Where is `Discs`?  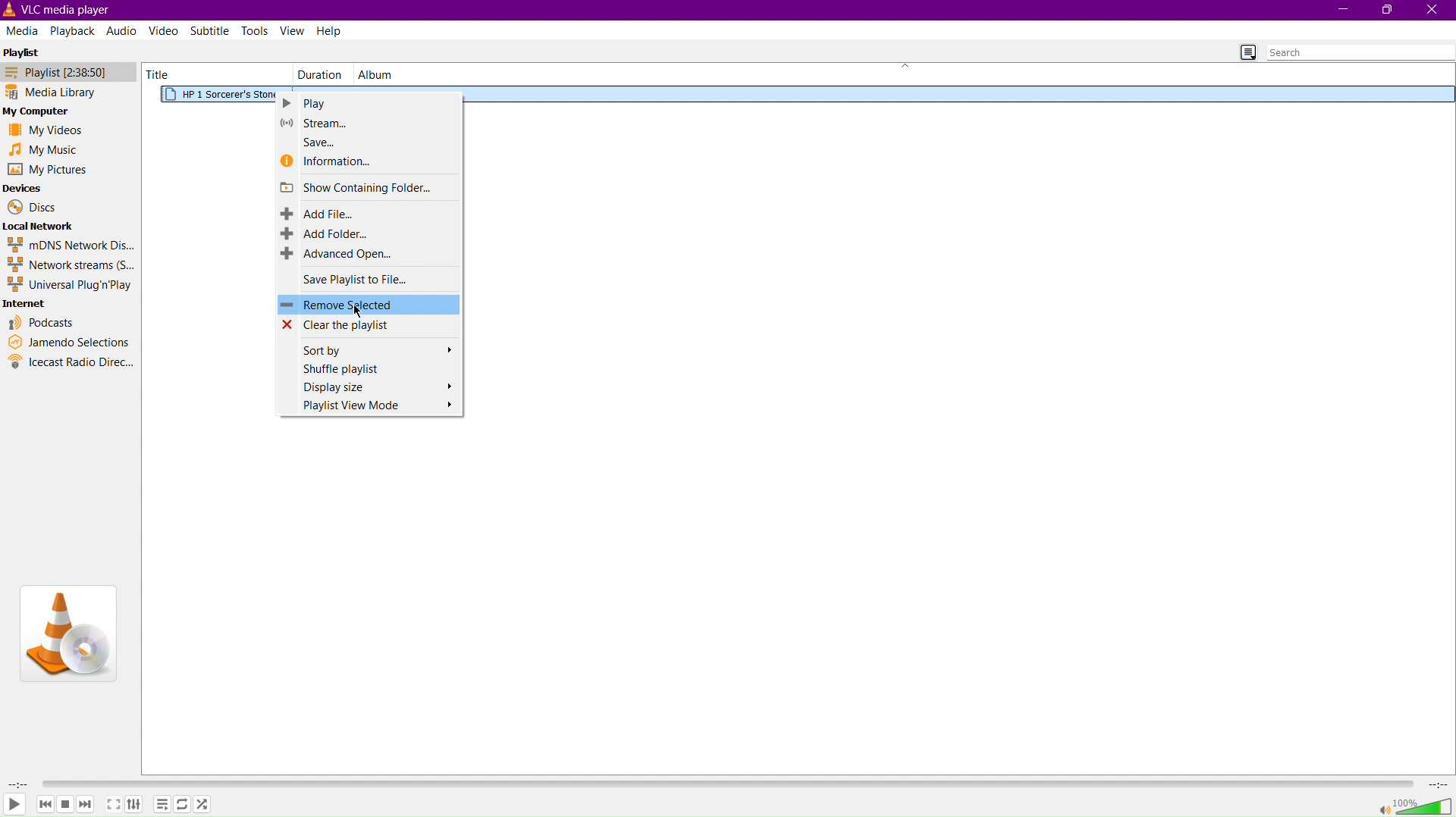 Discs is located at coordinates (29, 207).